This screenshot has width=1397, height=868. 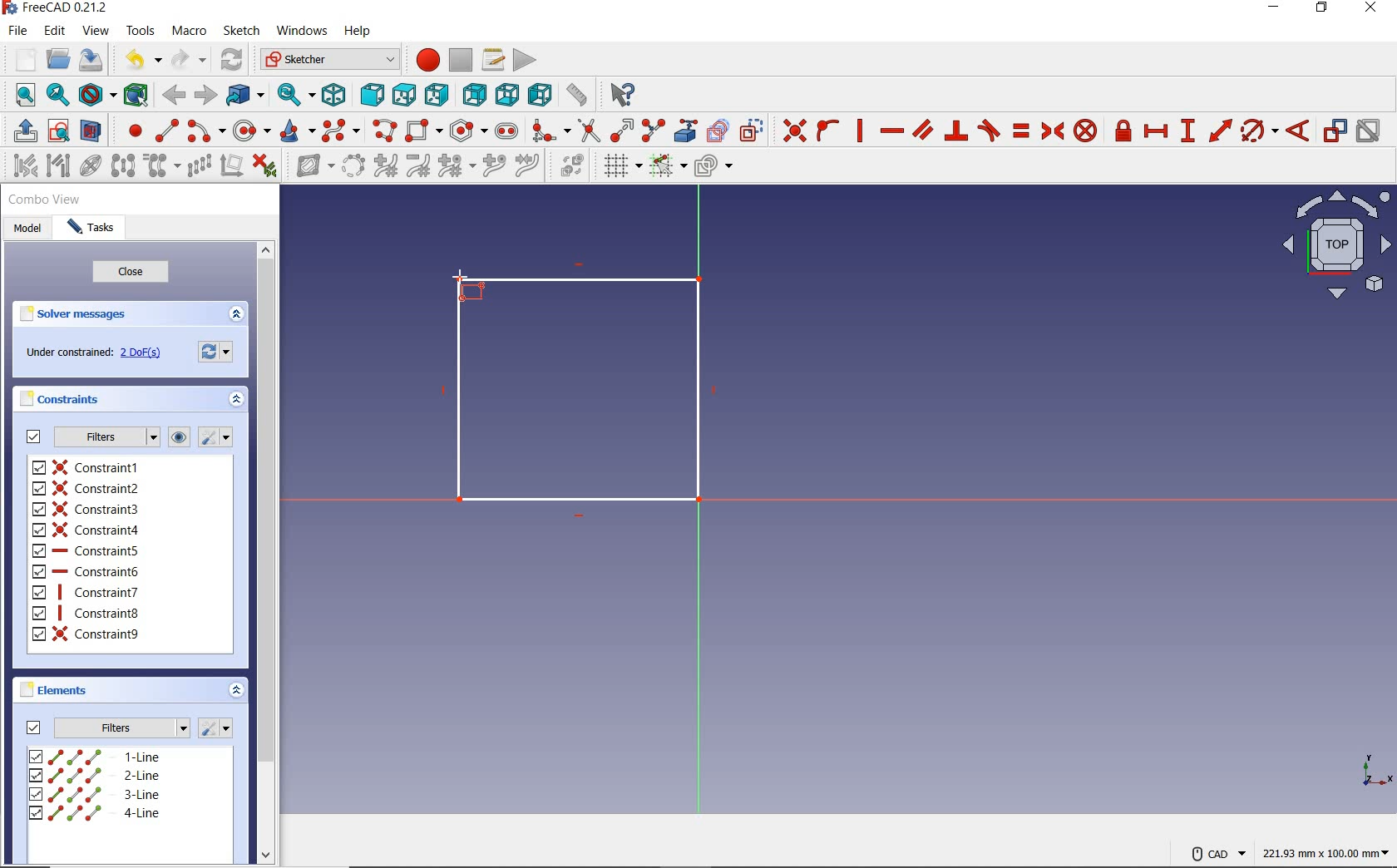 What do you see at coordinates (87, 613) in the screenshot?
I see `constraint8` at bounding box center [87, 613].